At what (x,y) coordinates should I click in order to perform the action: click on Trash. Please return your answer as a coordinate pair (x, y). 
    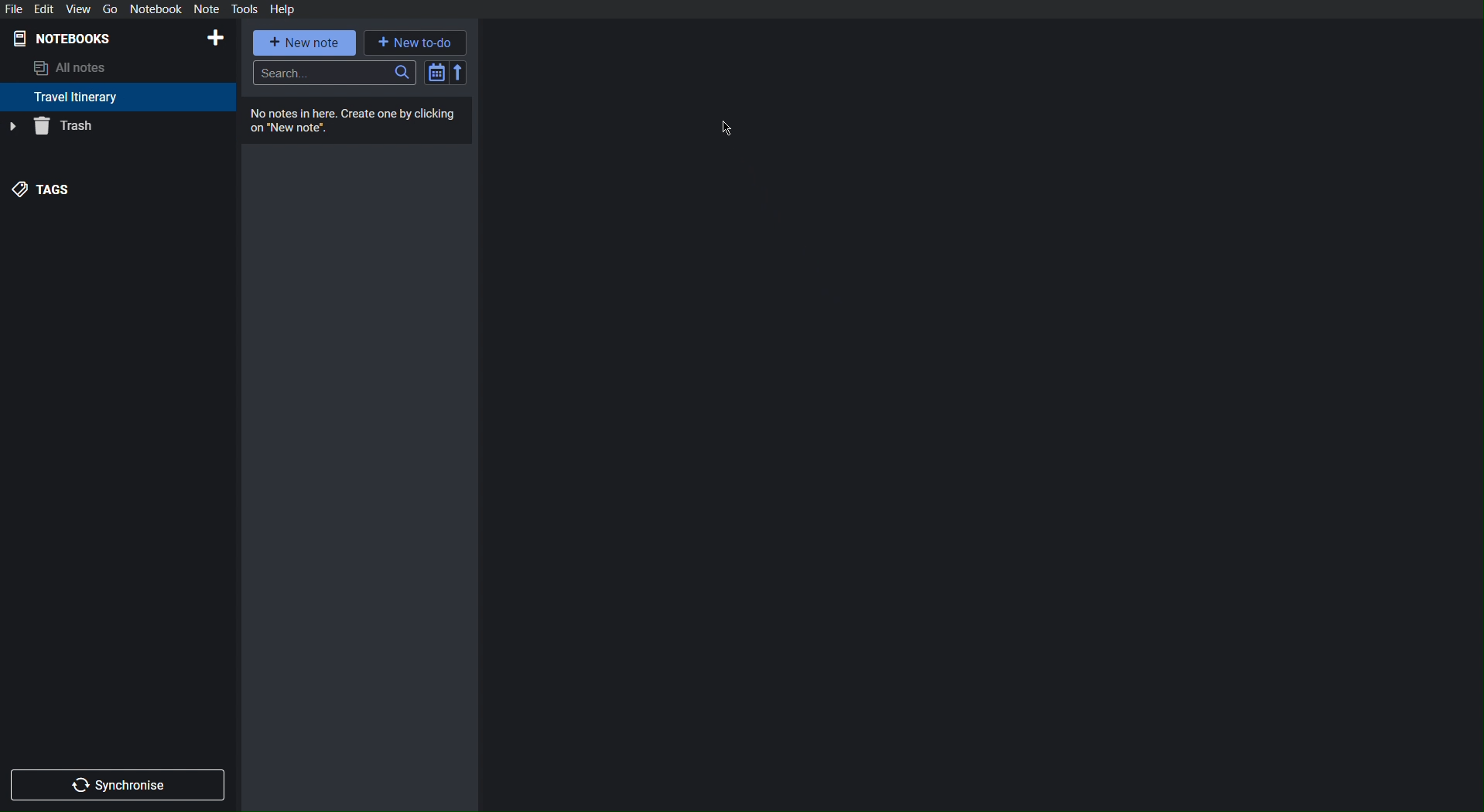
    Looking at the image, I should click on (68, 125).